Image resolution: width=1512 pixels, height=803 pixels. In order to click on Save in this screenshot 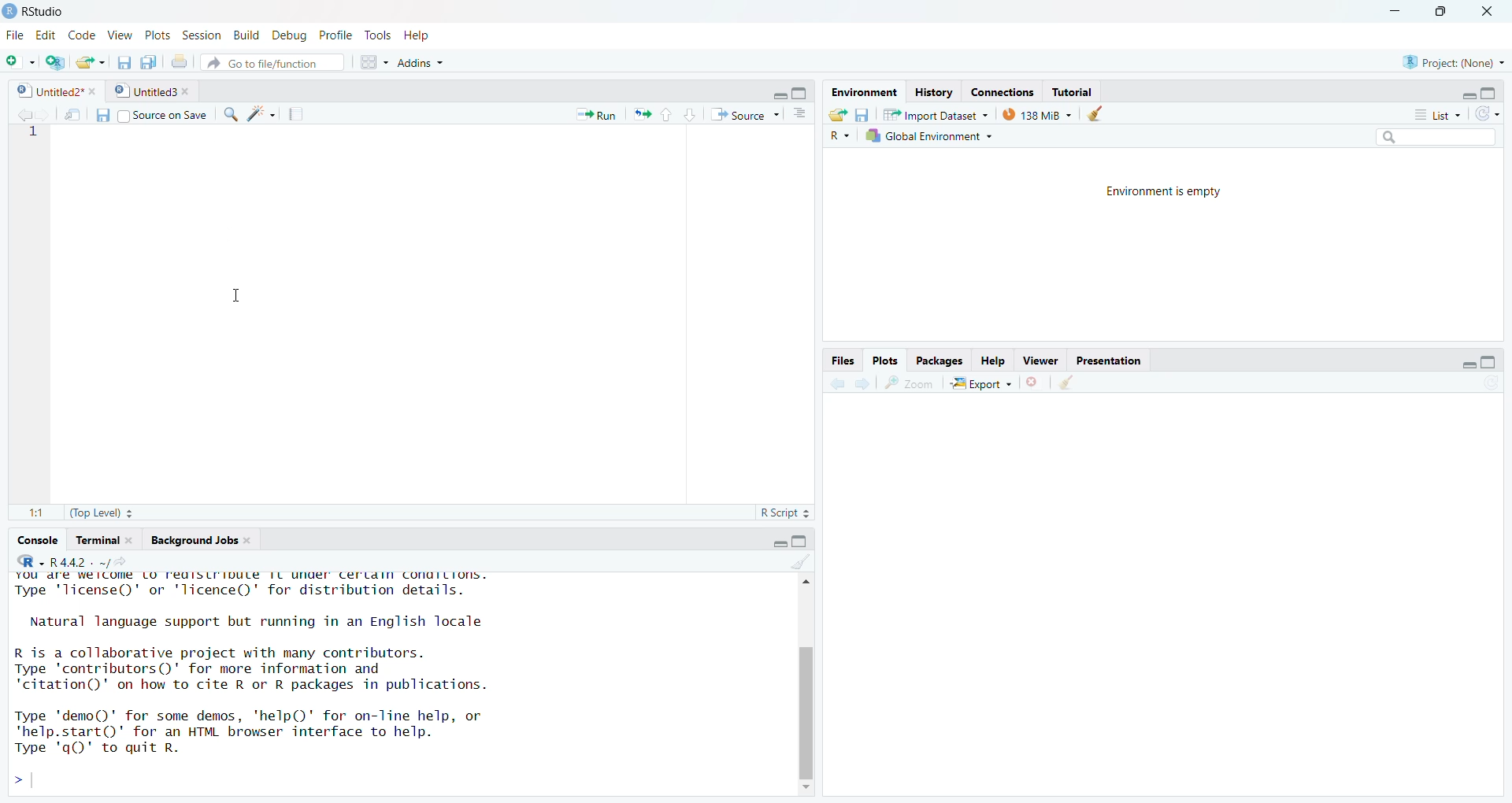, I will do `click(866, 113)`.